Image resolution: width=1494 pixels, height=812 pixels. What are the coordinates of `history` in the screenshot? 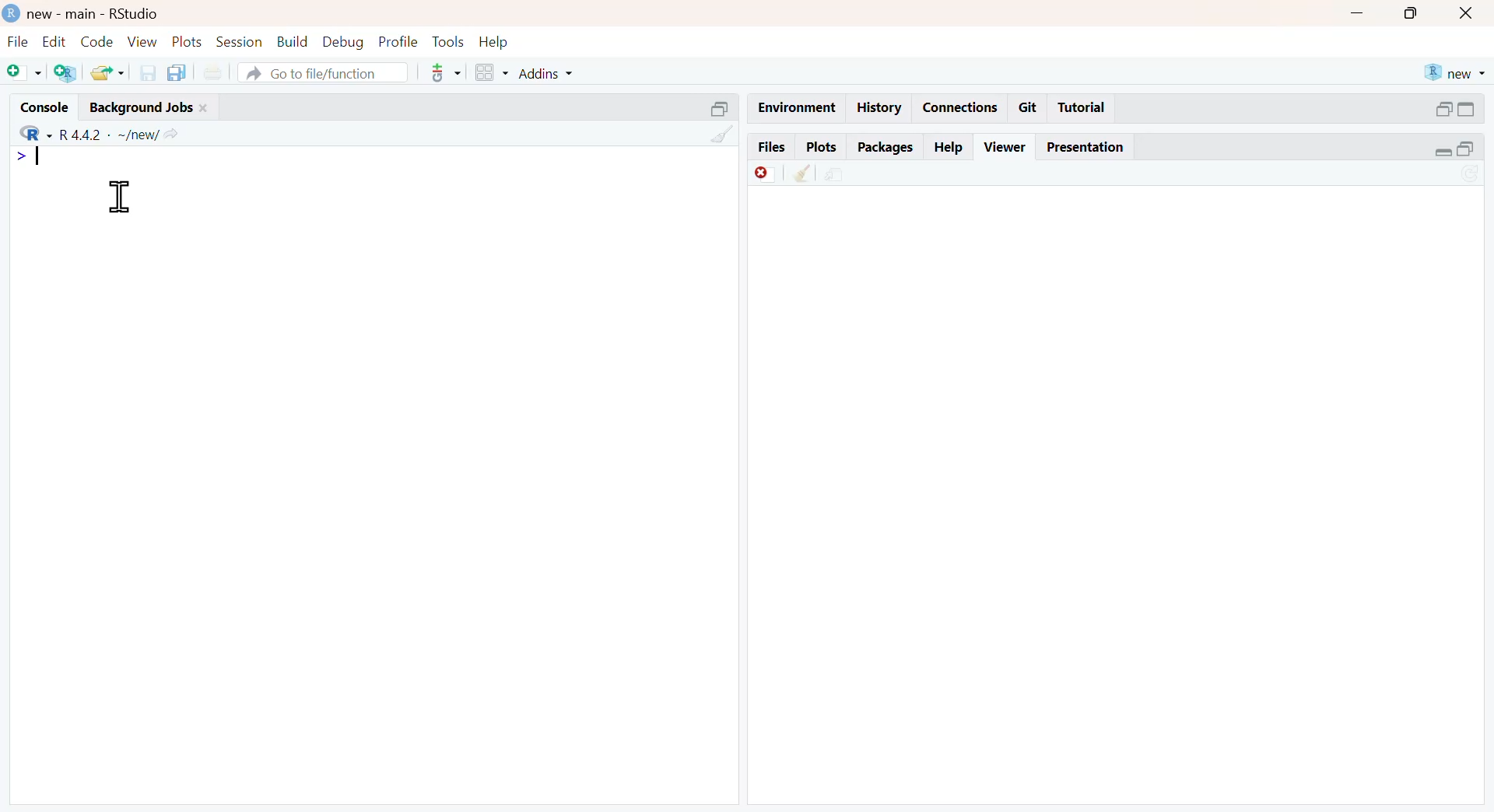 It's located at (881, 107).